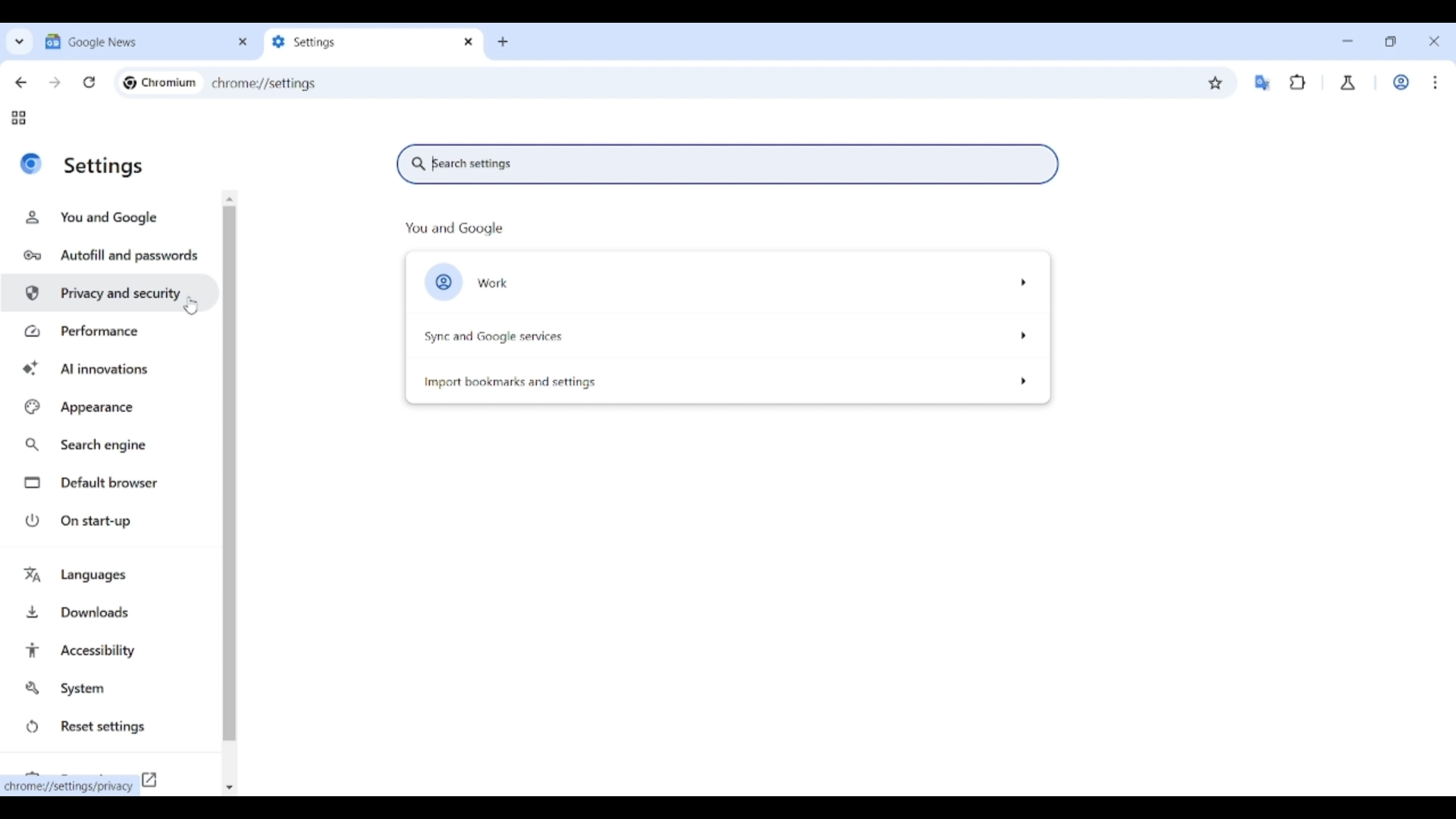 This screenshot has height=819, width=1456. What do you see at coordinates (229, 474) in the screenshot?
I see `Vertical slide bar` at bounding box center [229, 474].